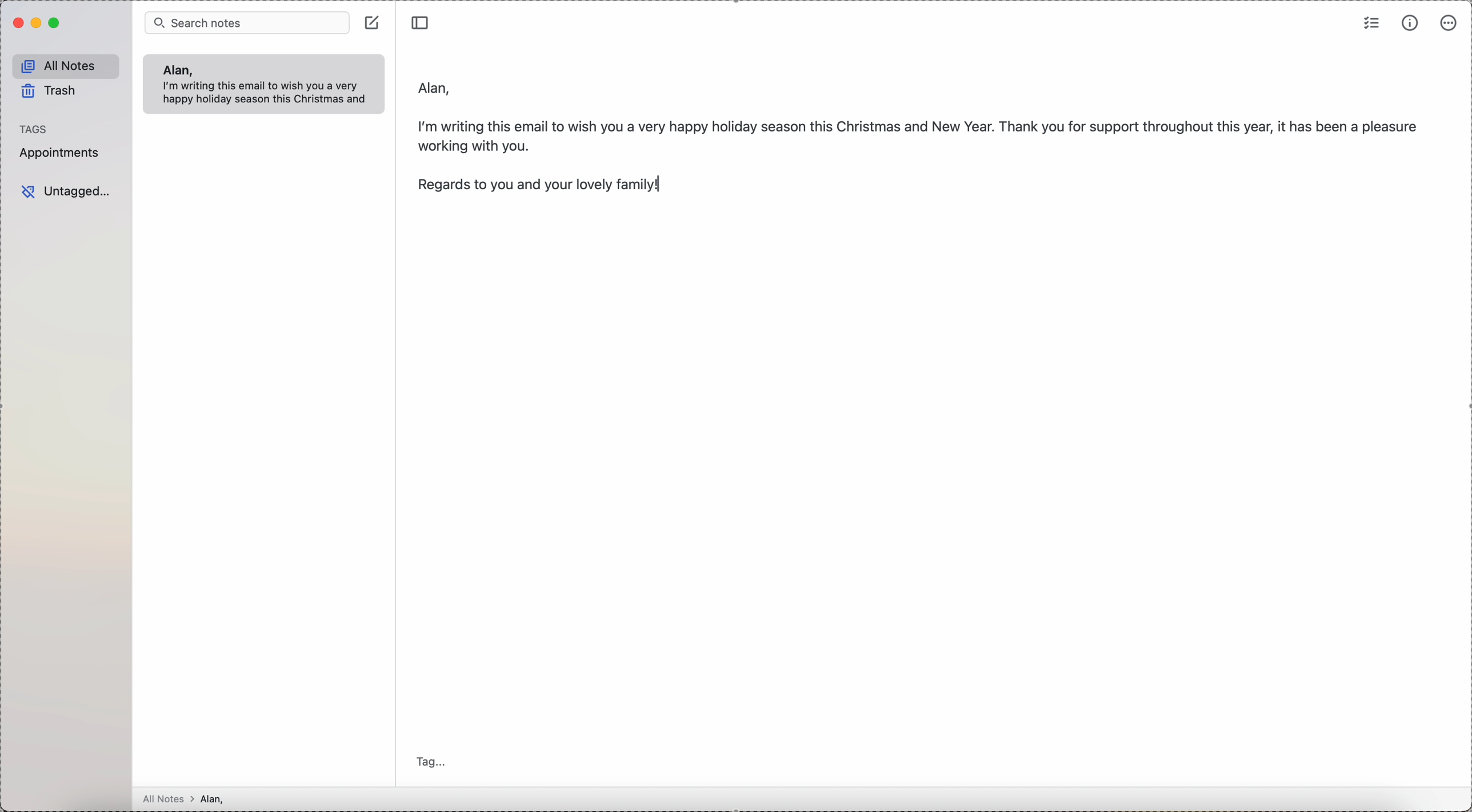 The width and height of the screenshot is (1472, 812). What do you see at coordinates (247, 22) in the screenshot?
I see `search bar` at bounding box center [247, 22].